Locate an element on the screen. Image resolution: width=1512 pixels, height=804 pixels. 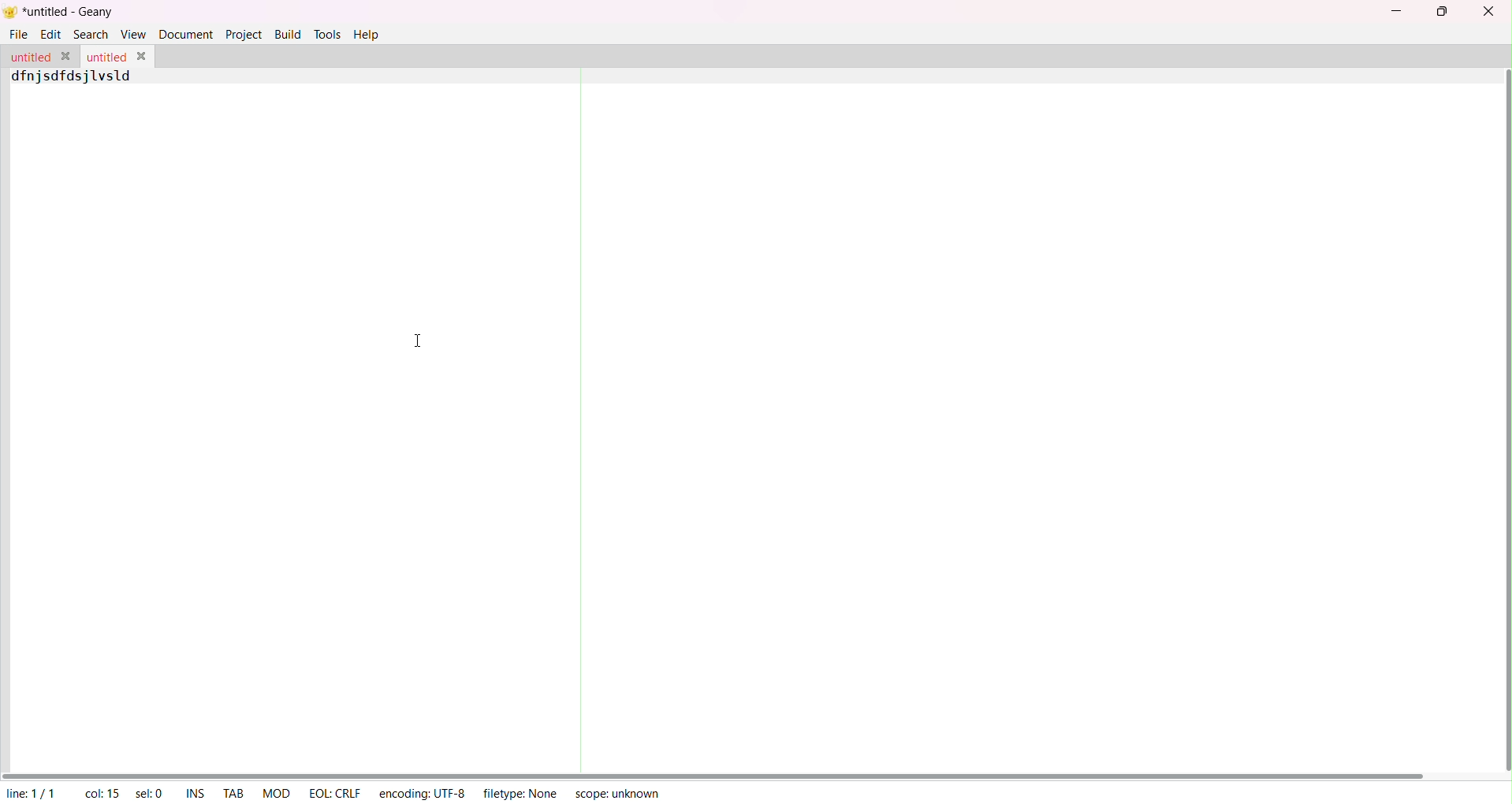
MOD is located at coordinates (274, 793).